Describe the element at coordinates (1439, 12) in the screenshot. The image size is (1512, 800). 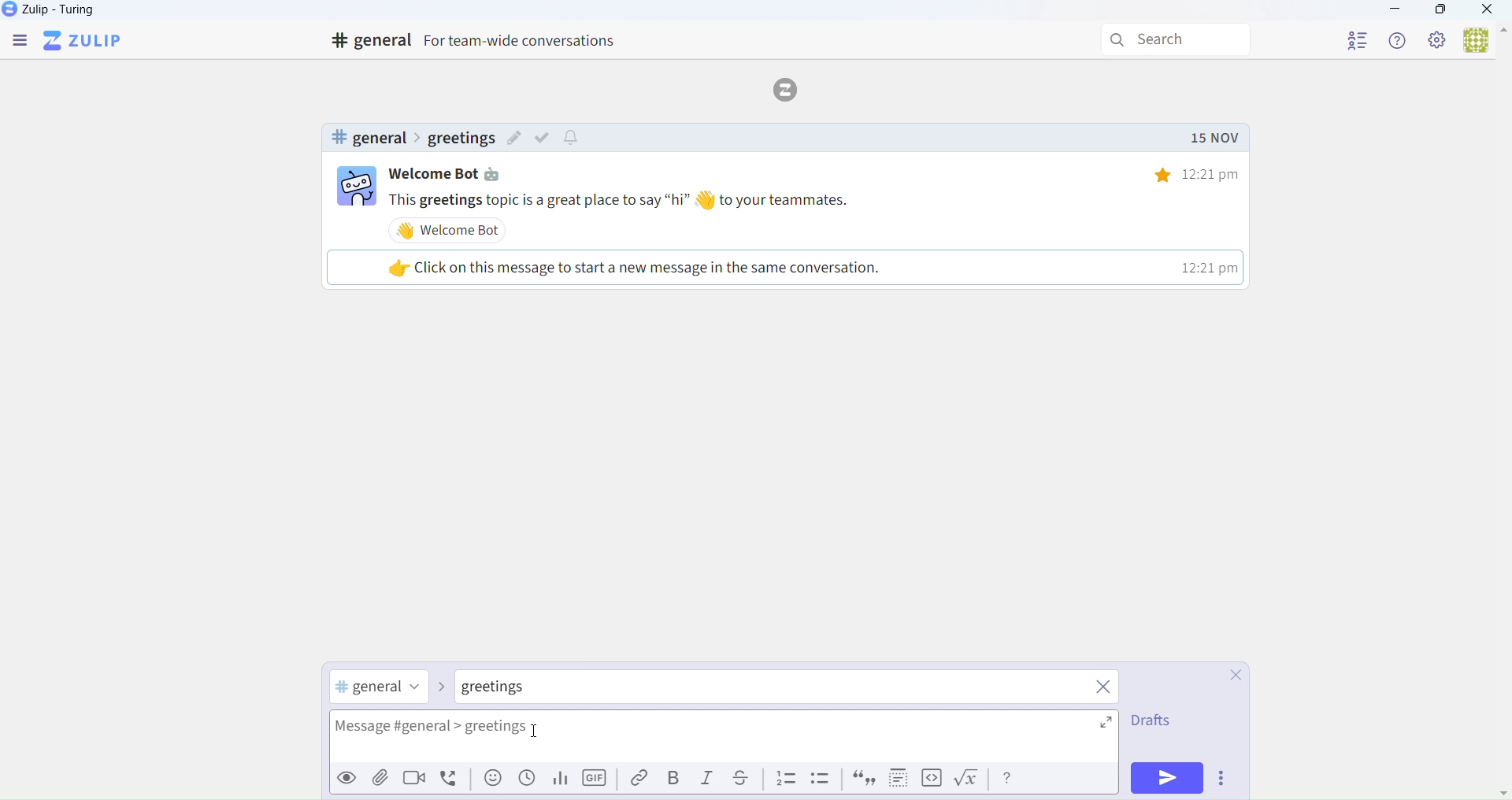
I see `restore down` at that location.